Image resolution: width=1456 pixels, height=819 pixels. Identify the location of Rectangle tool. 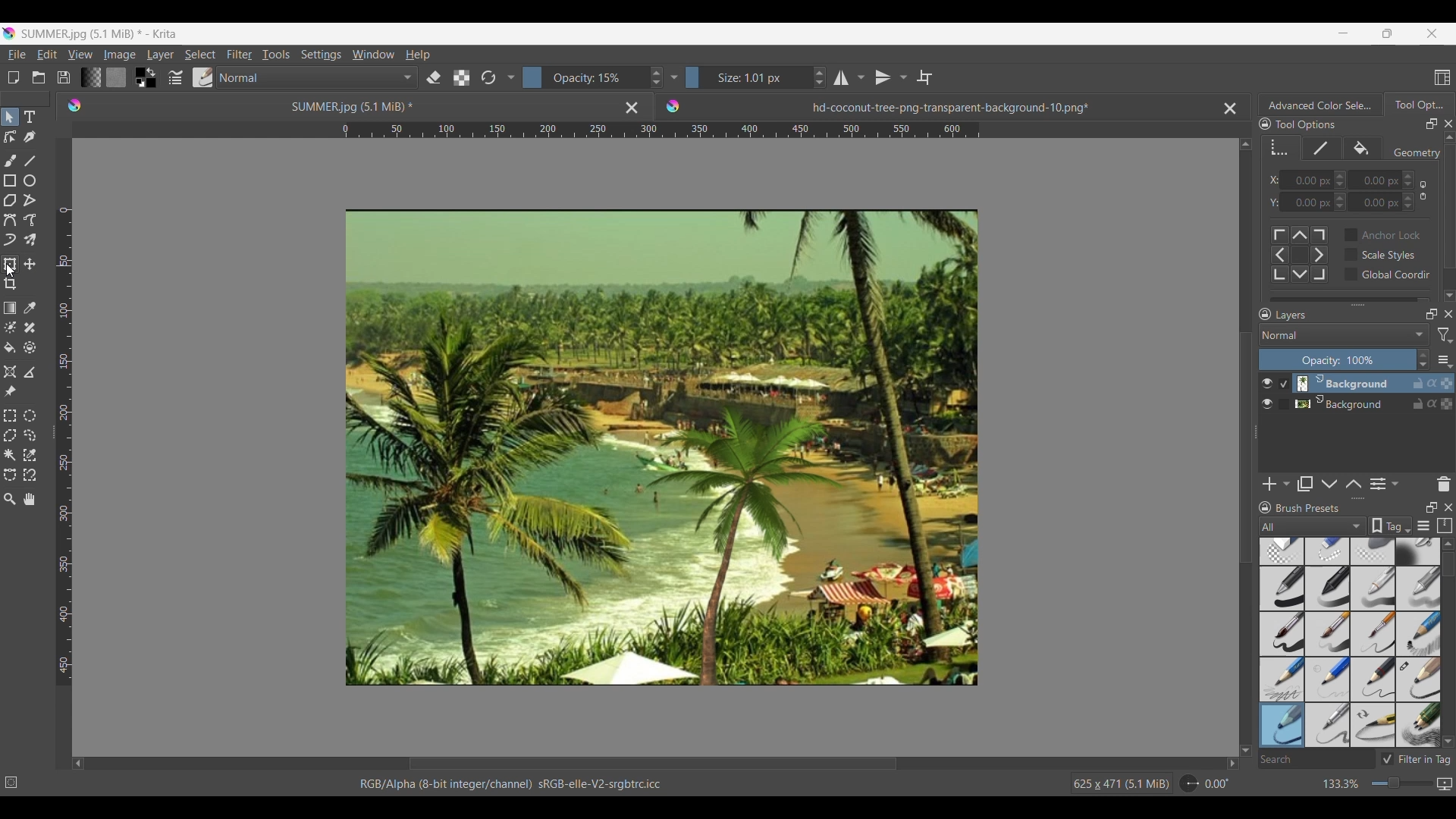
(9, 180).